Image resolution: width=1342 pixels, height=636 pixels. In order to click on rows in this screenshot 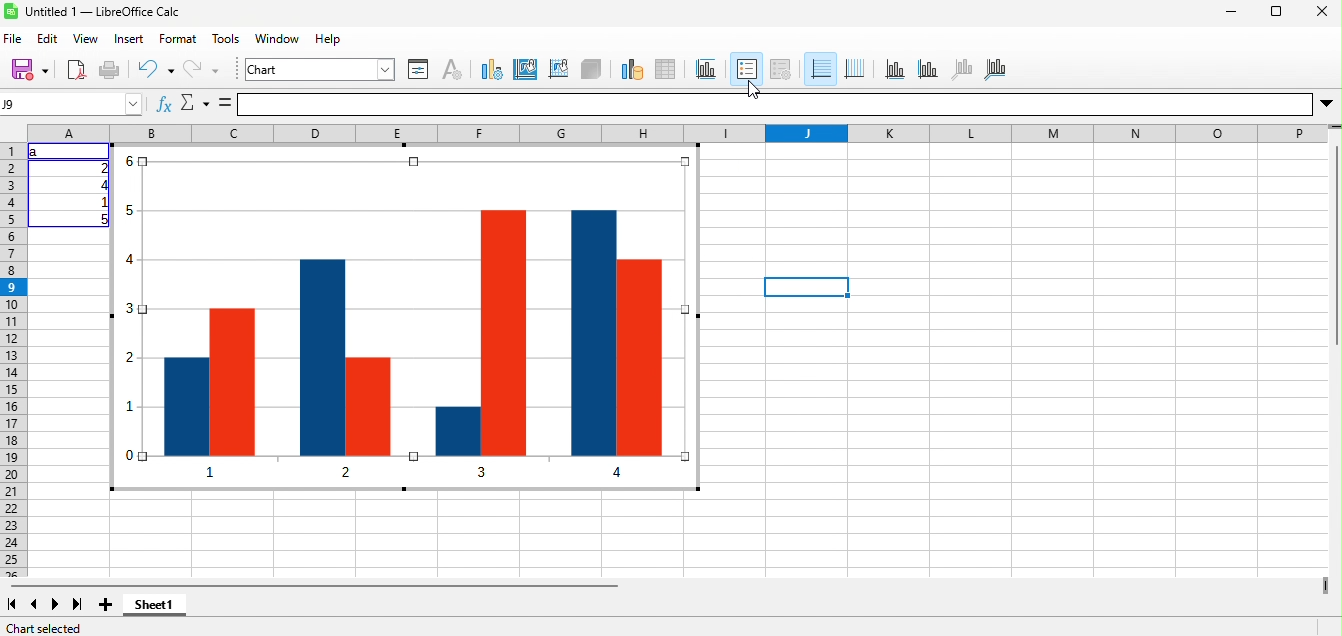, I will do `click(13, 360)`.